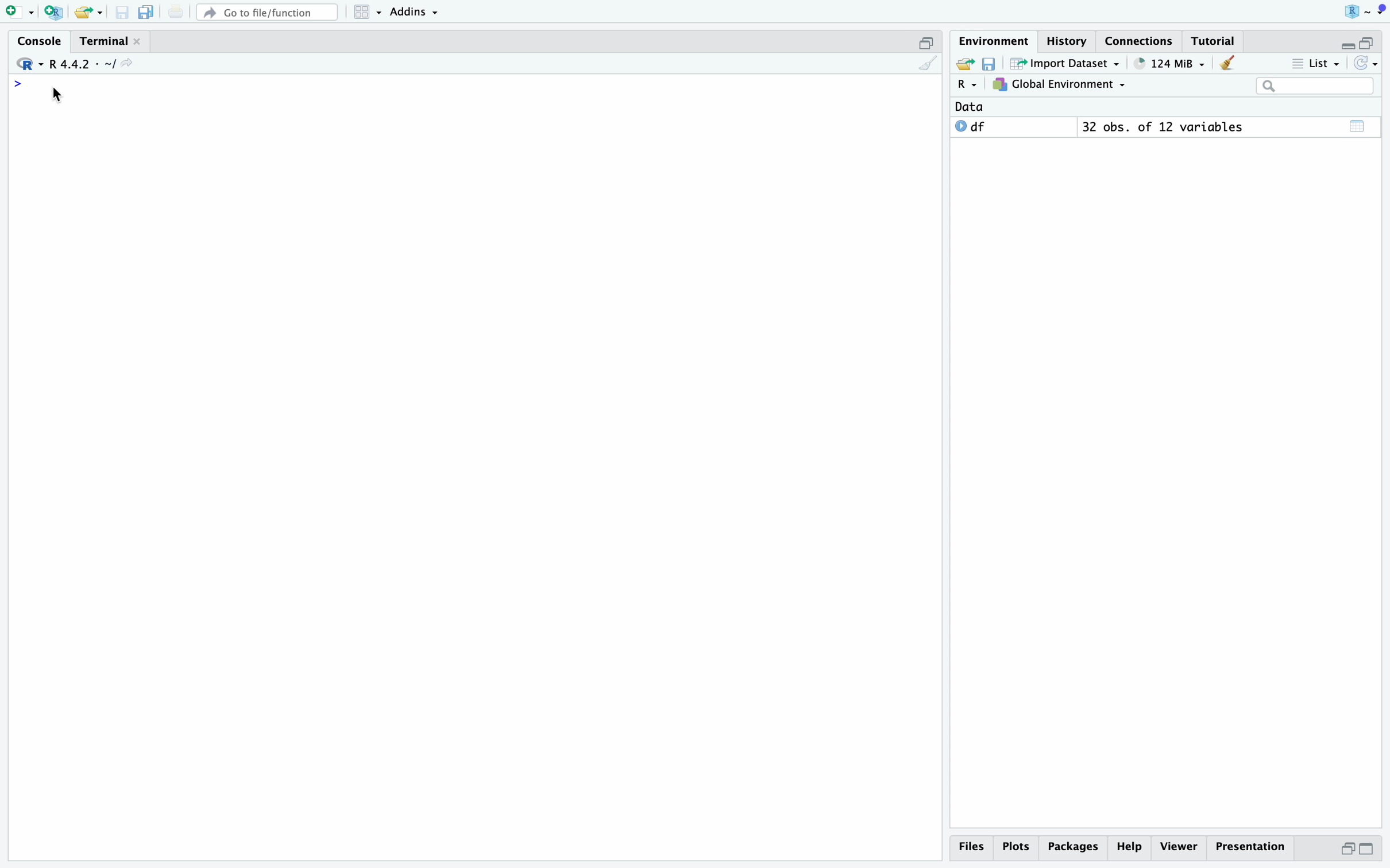  What do you see at coordinates (964, 62) in the screenshot?
I see `share` at bounding box center [964, 62].